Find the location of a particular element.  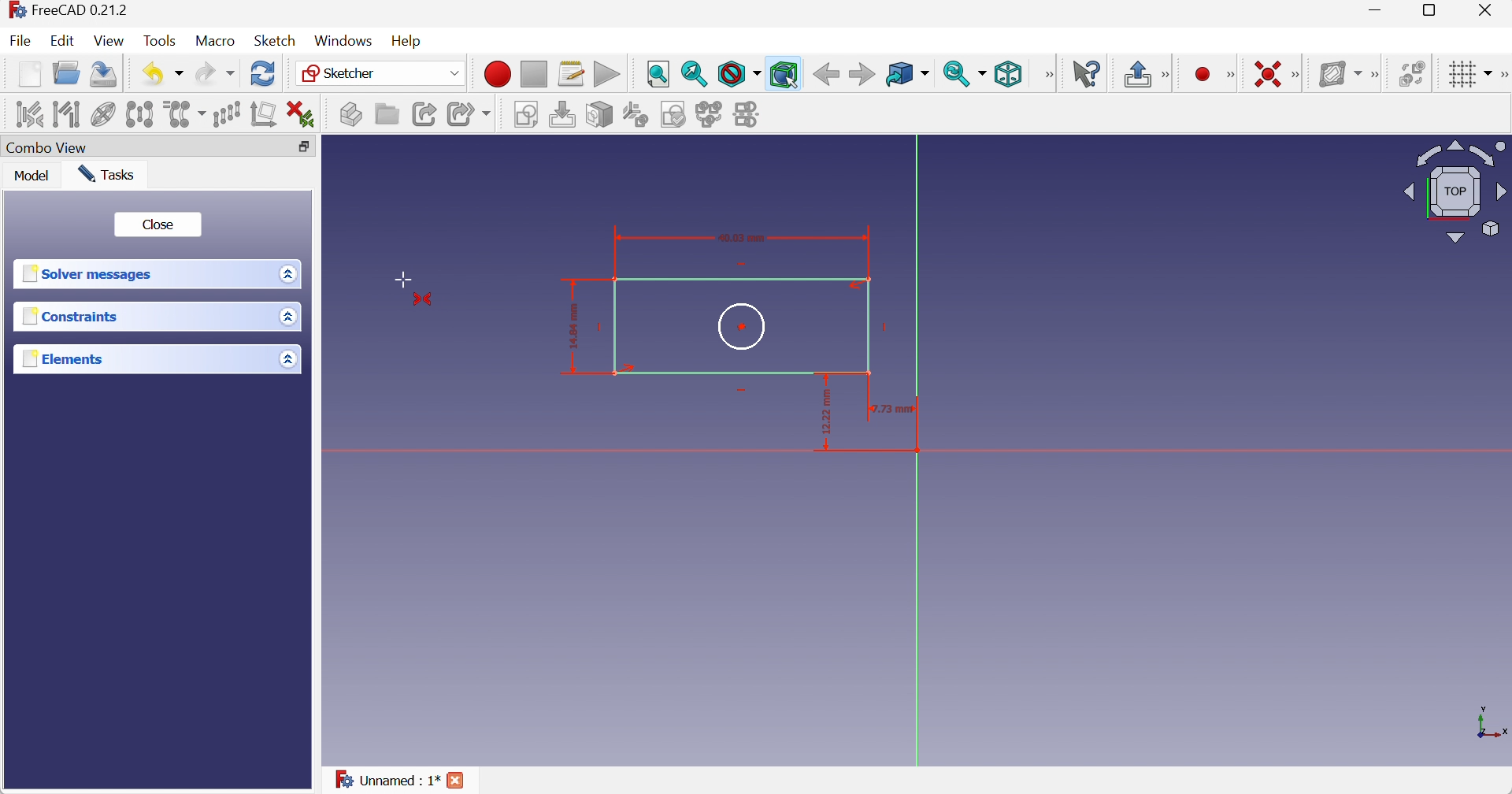

Undo is located at coordinates (165, 75).